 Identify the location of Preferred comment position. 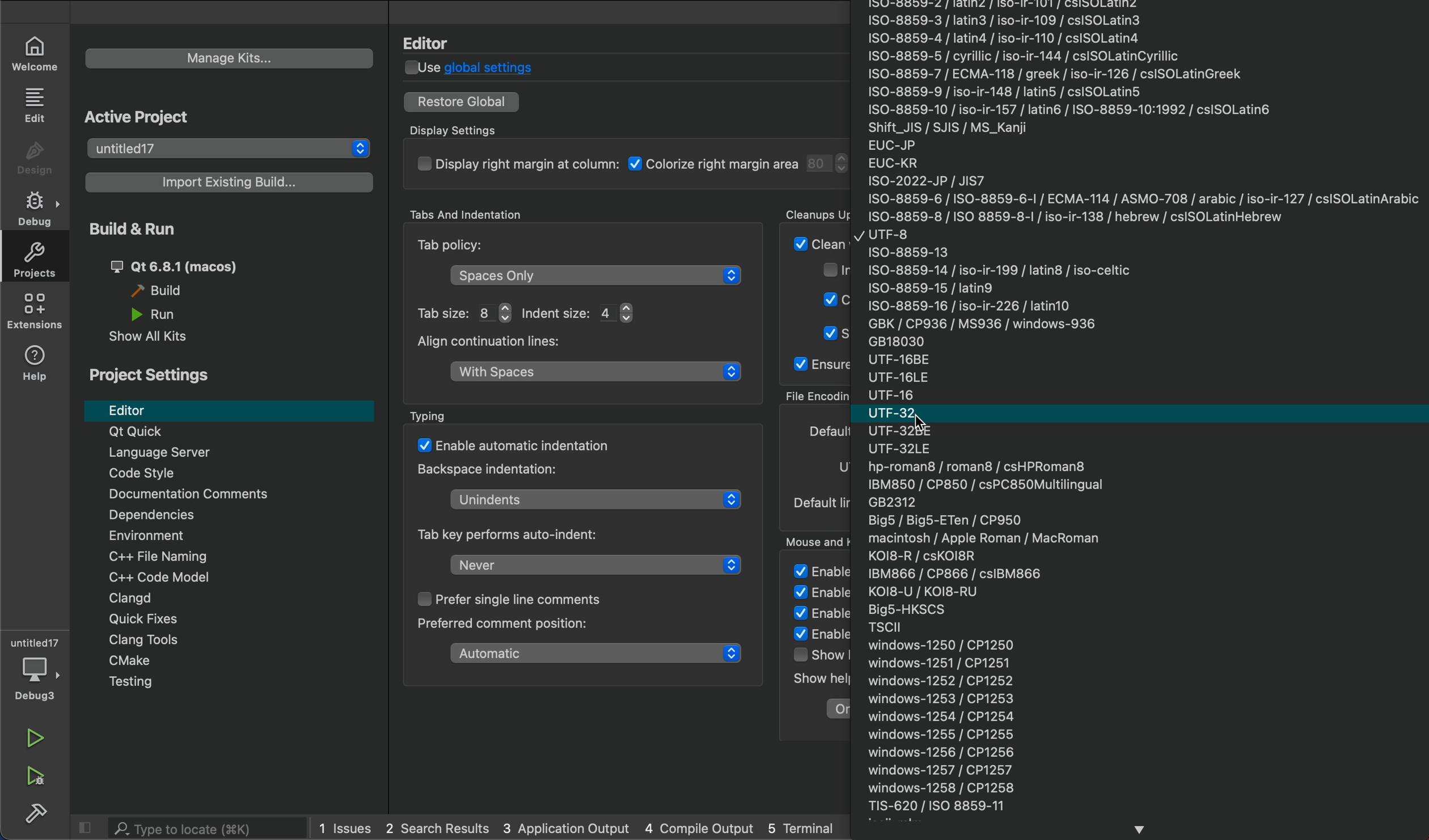
(526, 627).